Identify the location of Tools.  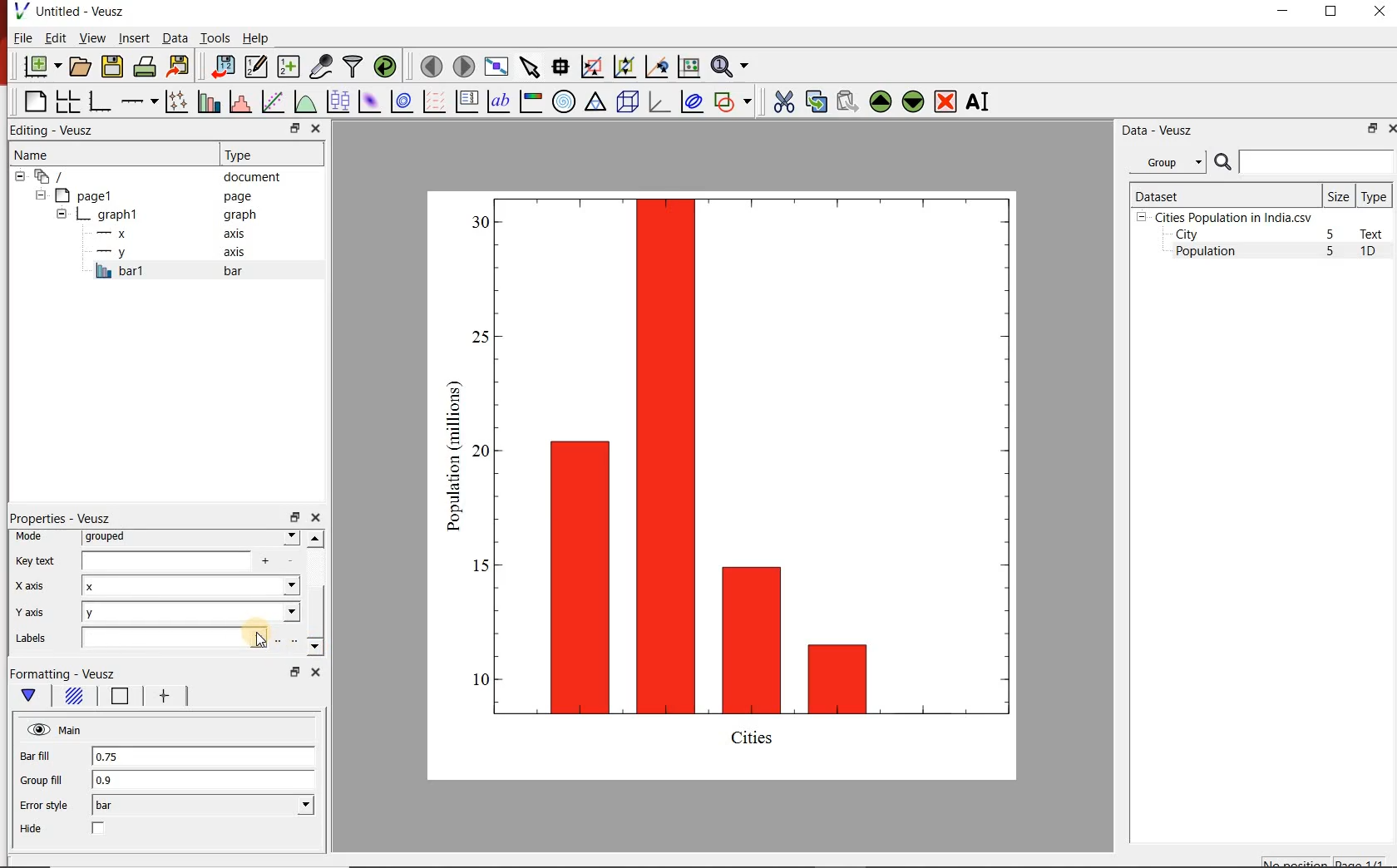
(214, 37).